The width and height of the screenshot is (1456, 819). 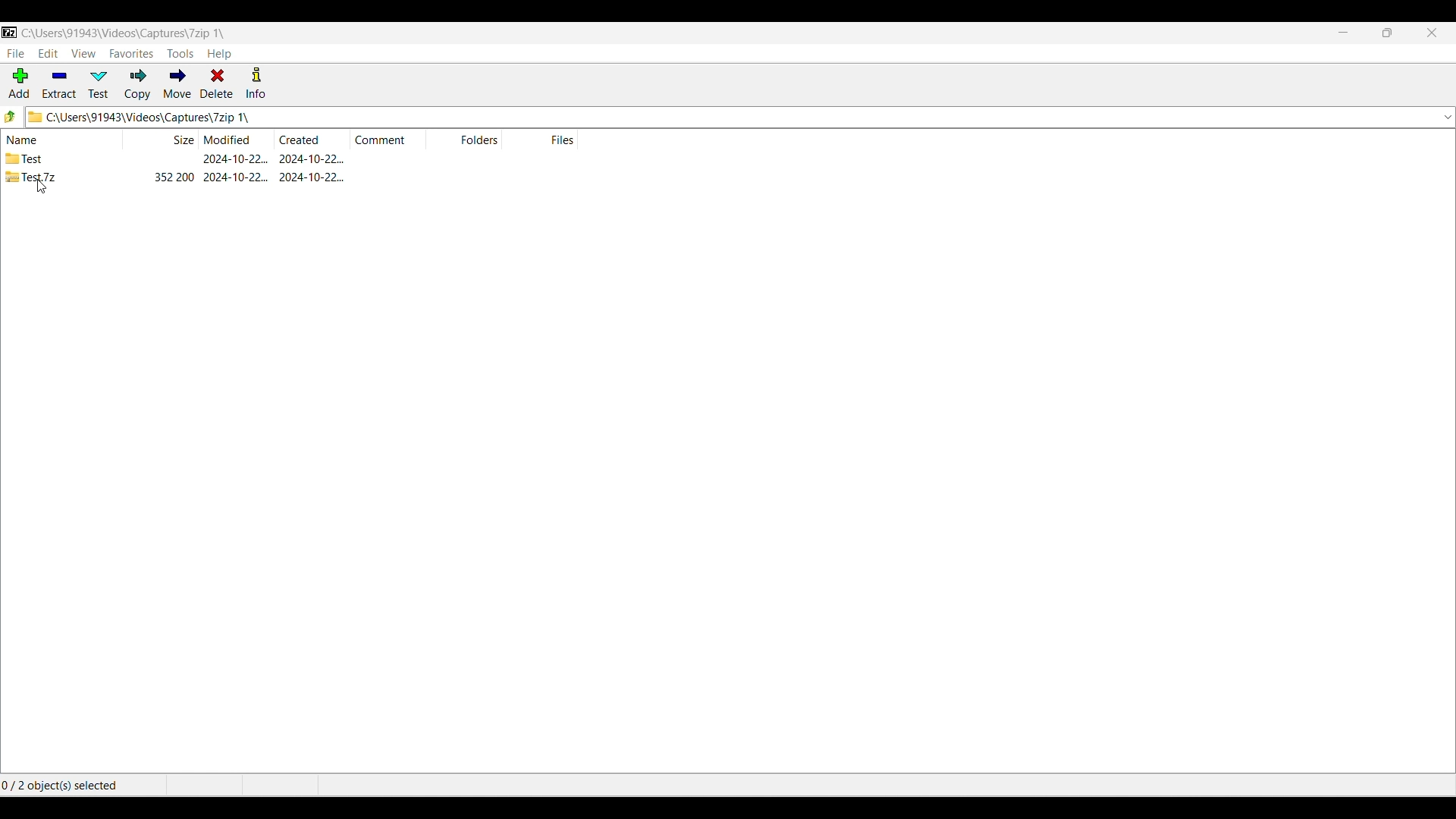 I want to click on Extract, so click(x=60, y=85).